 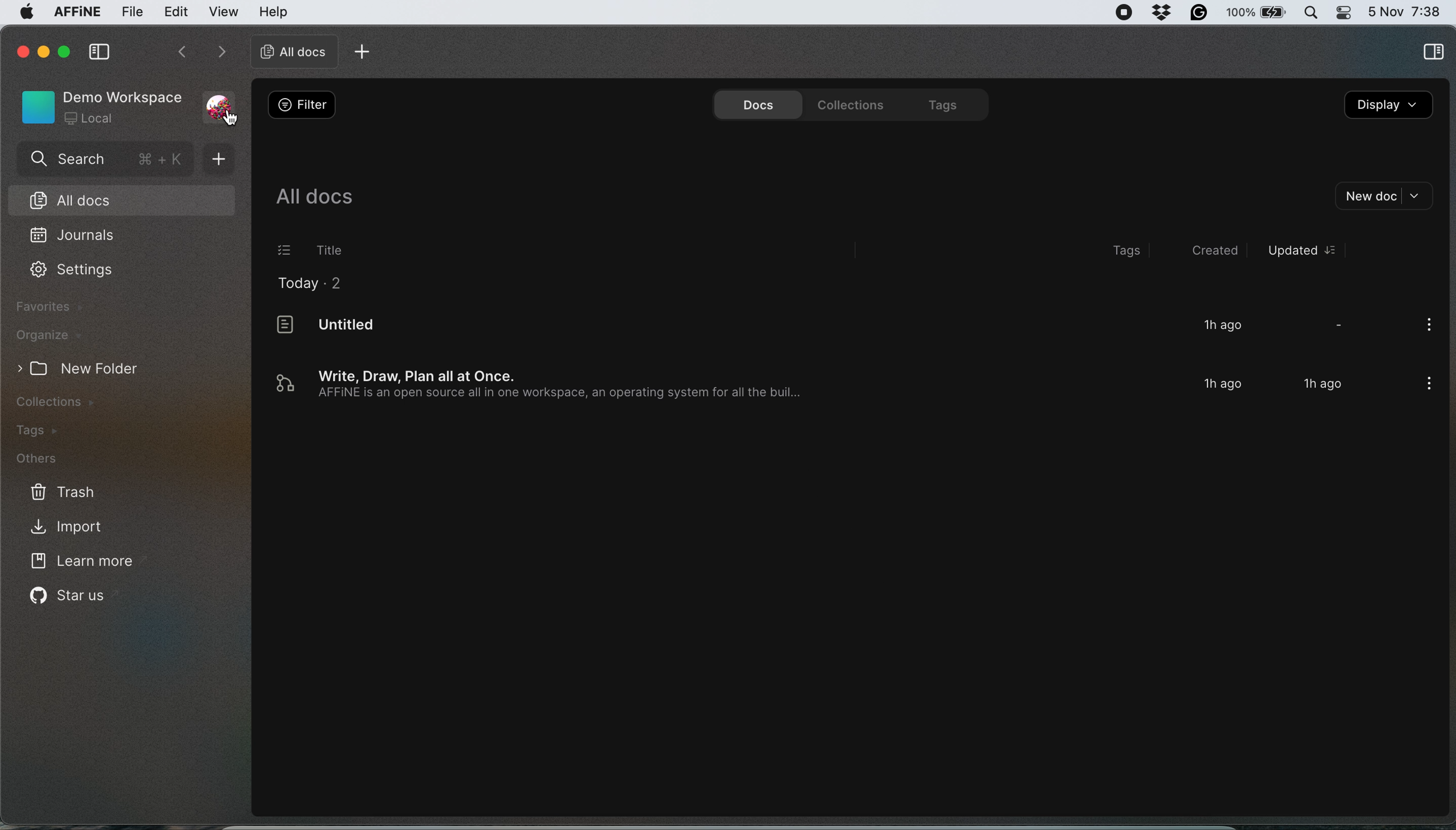 I want to click on maximise, so click(x=66, y=51).